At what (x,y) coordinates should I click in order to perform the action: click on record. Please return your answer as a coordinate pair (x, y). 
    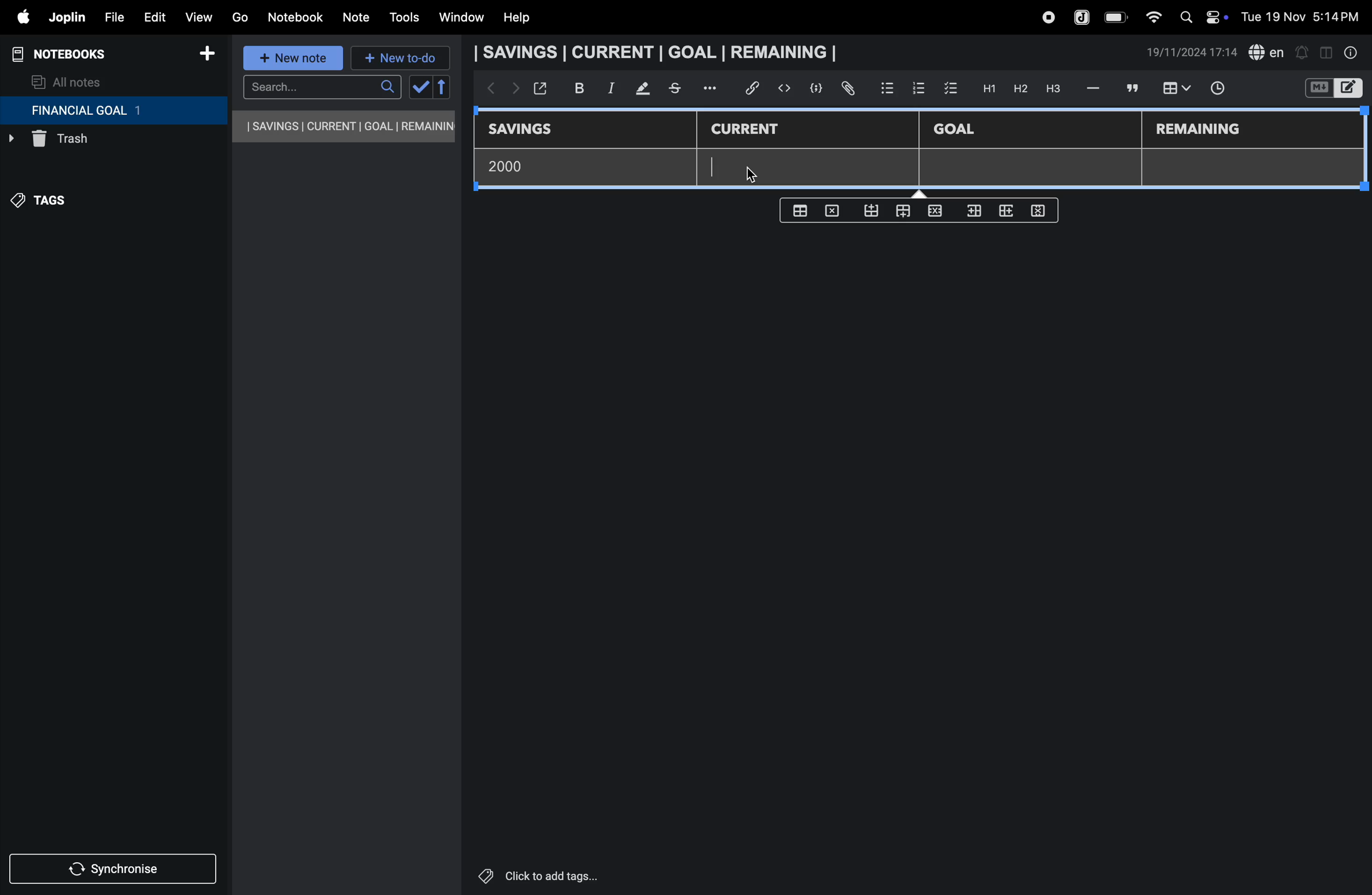
    Looking at the image, I should click on (1047, 17).